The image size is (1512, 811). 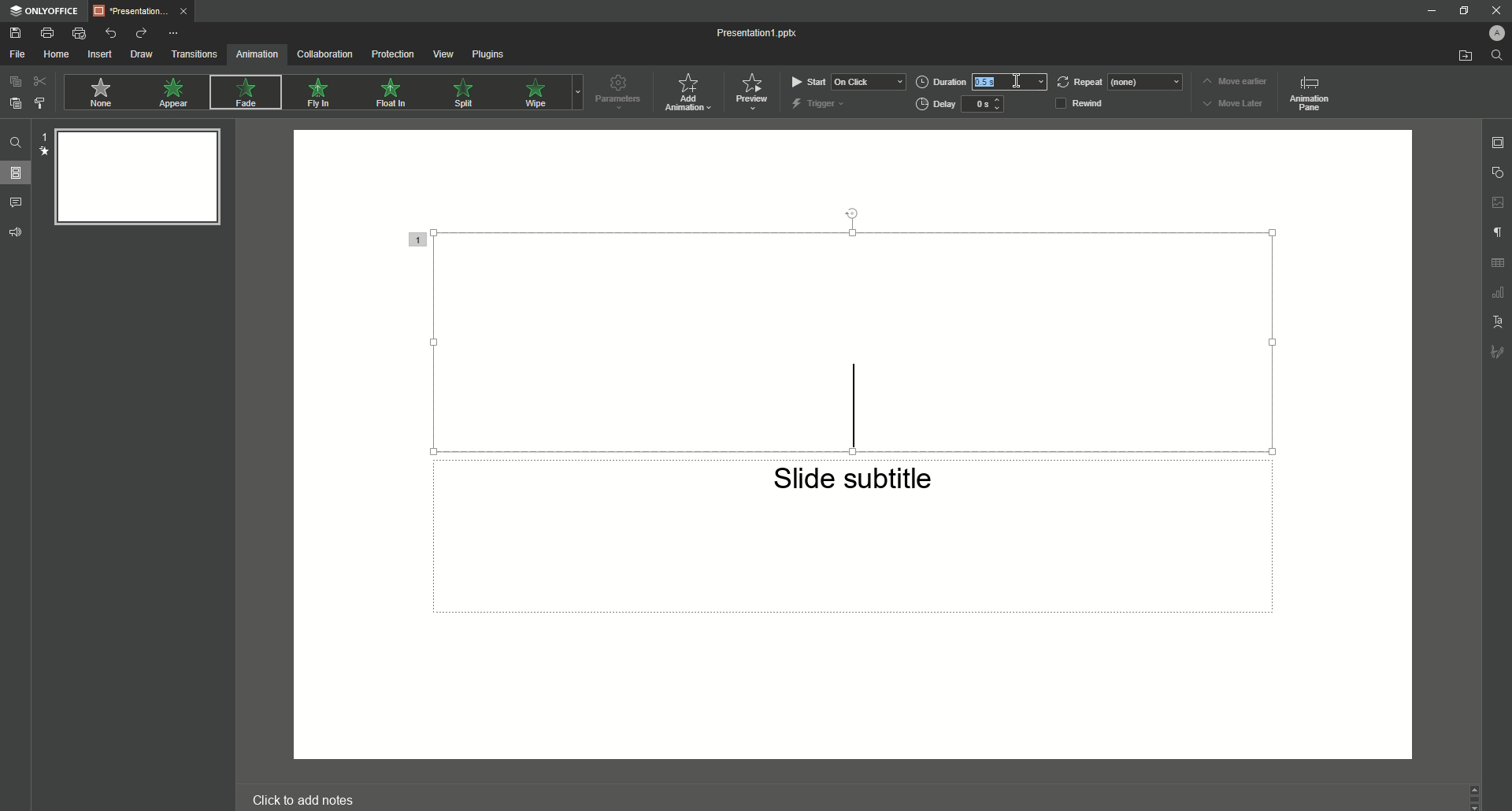 What do you see at coordinates (134, 176) in the screenshot?
I see `Slide Preview` at bounding box center [134, 176].